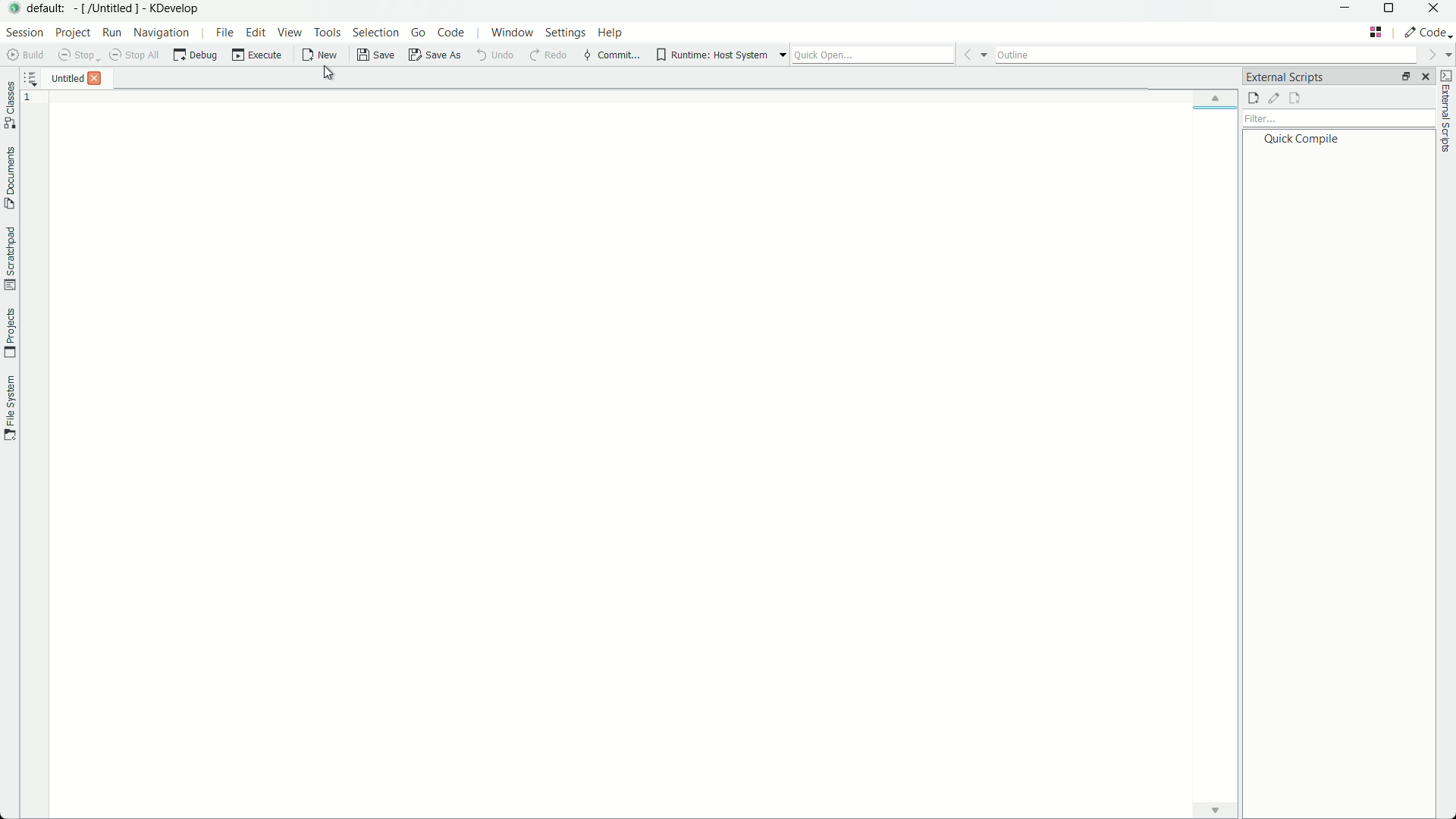 This screenshot has width=1456, height=819. I want to click on save as, so click(435, 55).